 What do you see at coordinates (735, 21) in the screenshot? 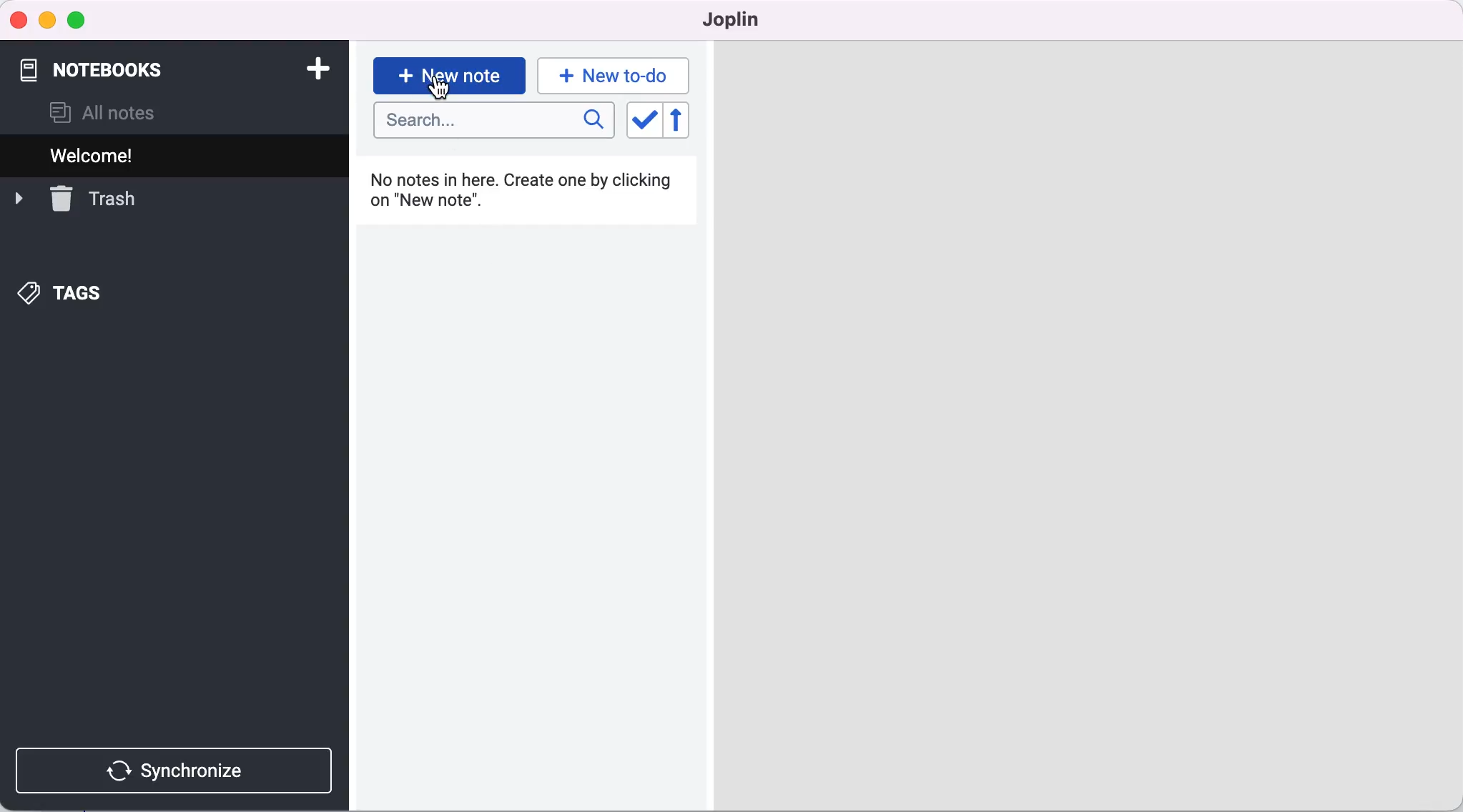
I see `joplin` at bounding box center [735, 21].